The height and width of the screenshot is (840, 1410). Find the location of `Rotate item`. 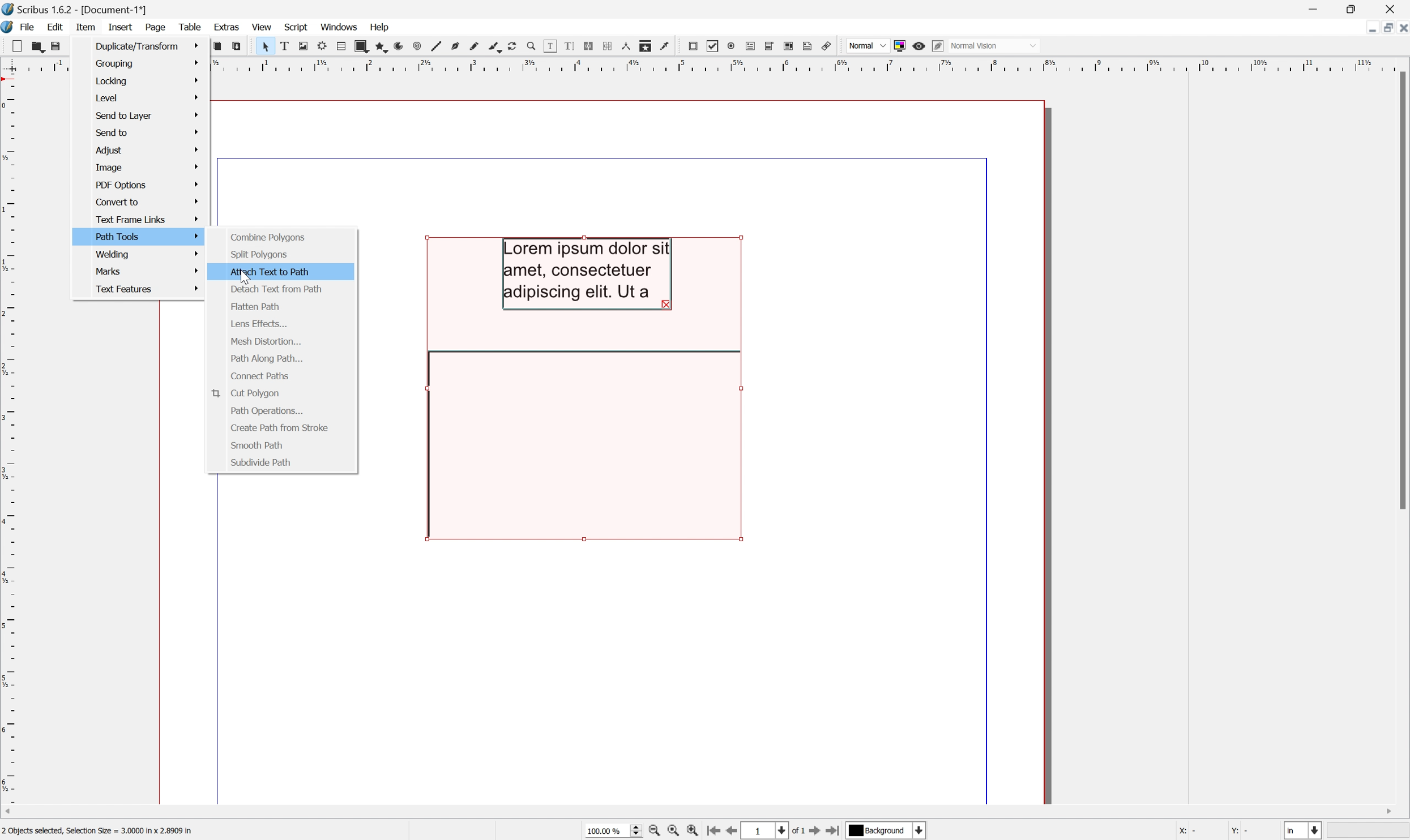

Rotate item is located at coordinates (581, 445).